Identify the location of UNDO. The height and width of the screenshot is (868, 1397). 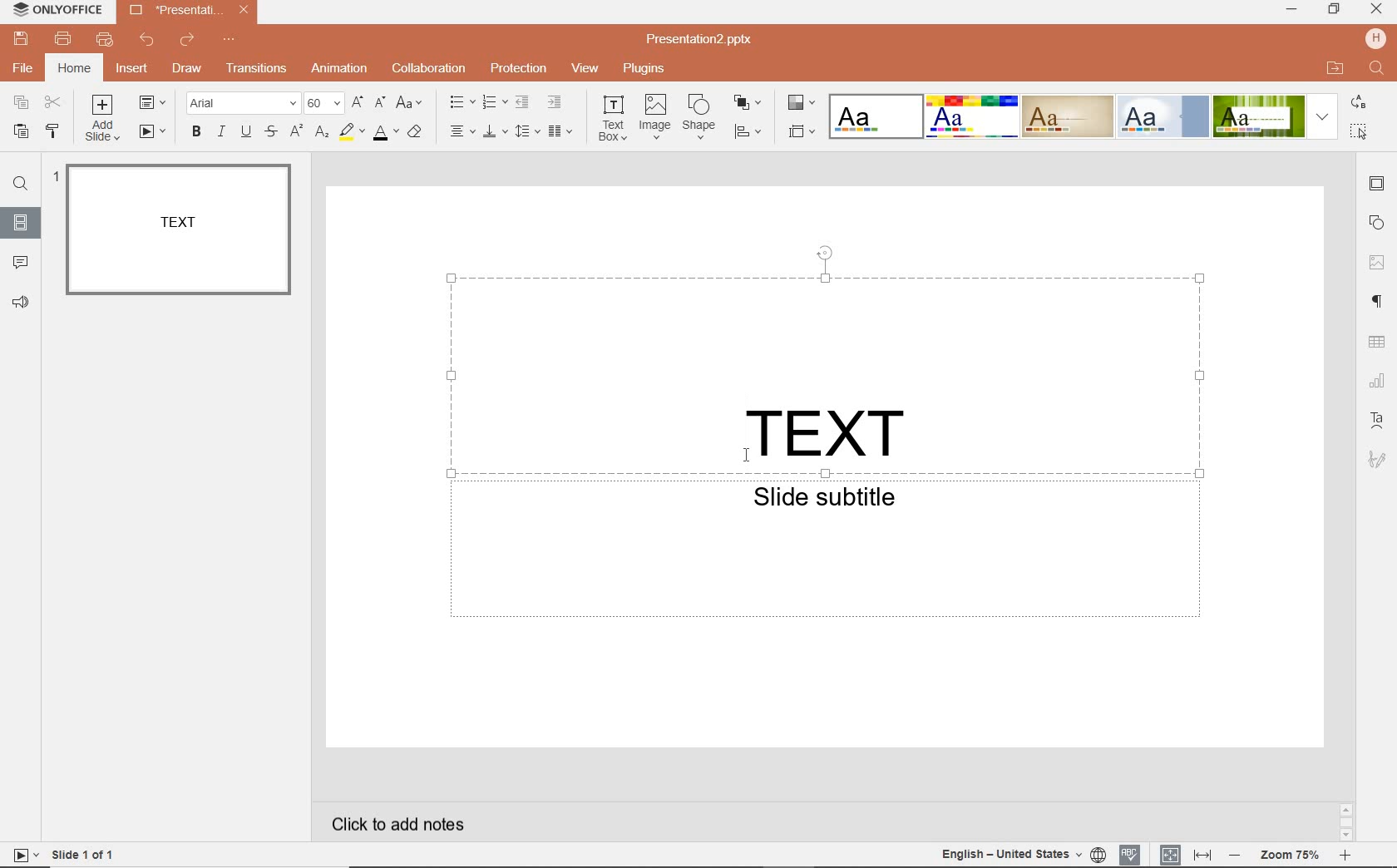
(147, 39).